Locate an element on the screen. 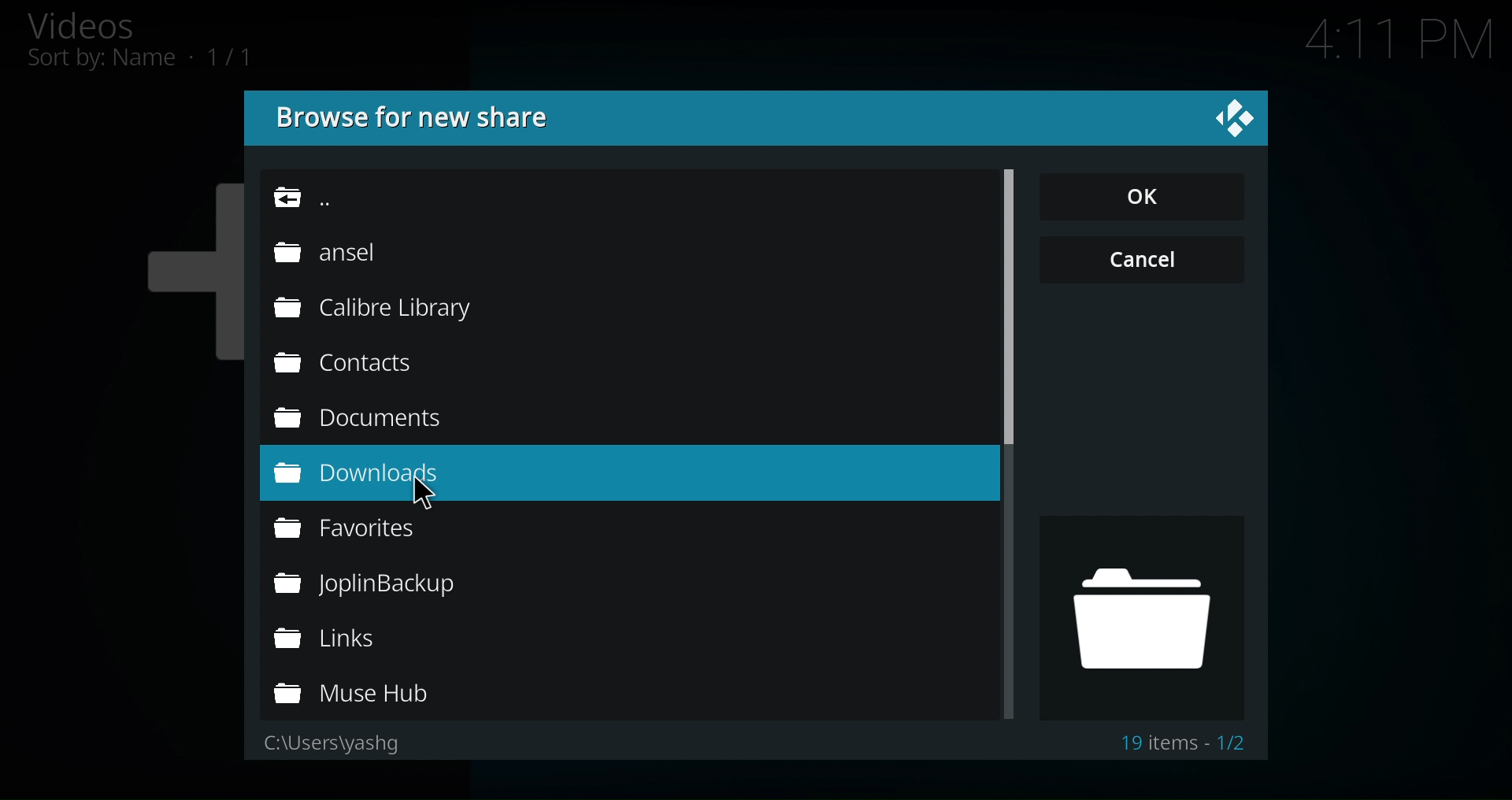 This screenshot has height=800, width=1512. Pointer Cursor is located at coordinates (432, 497).